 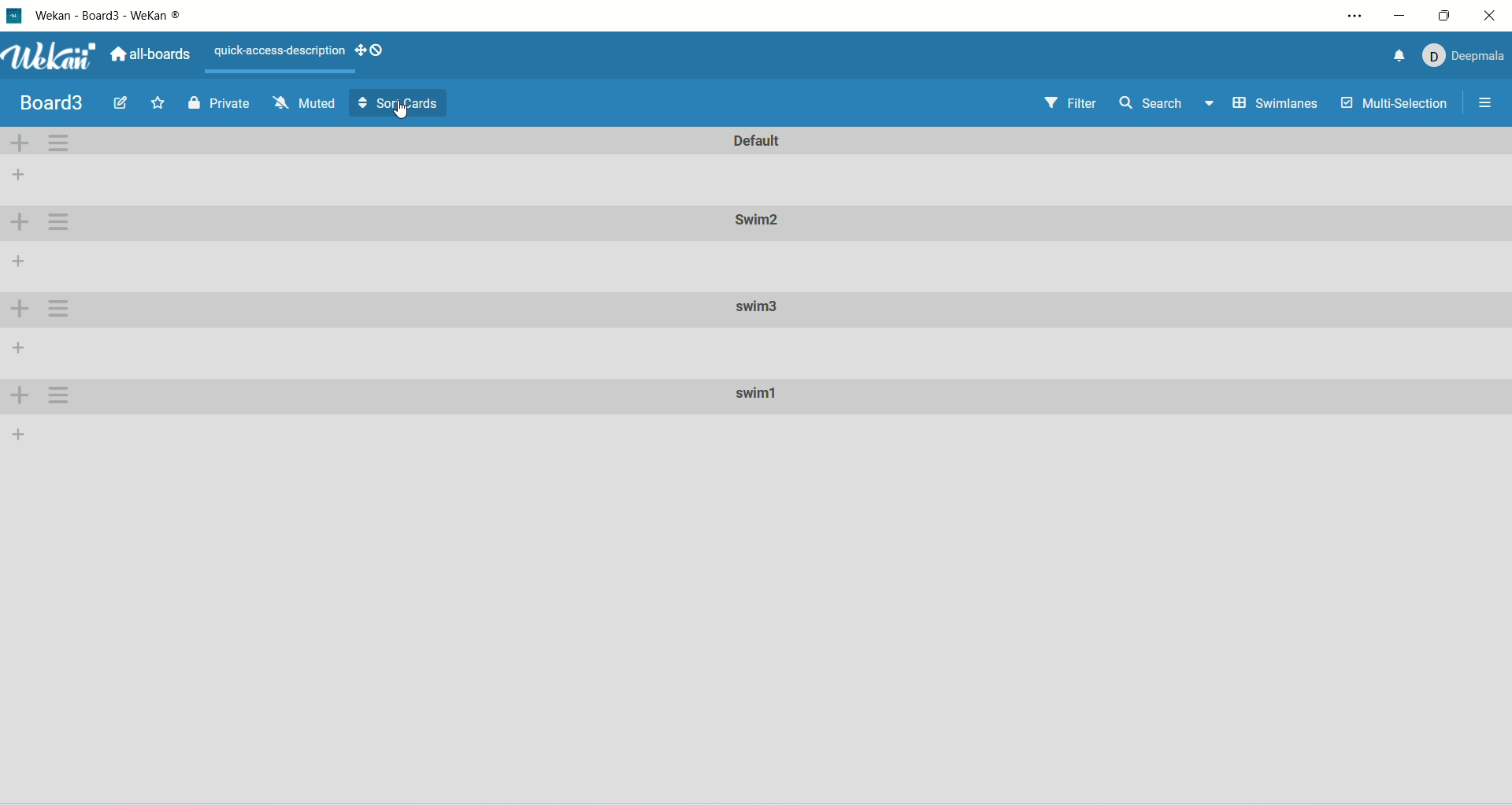 What do you see at coordinates (762, 397) in the screenshot?
I see `swim1` at bounding box center [762, 397].